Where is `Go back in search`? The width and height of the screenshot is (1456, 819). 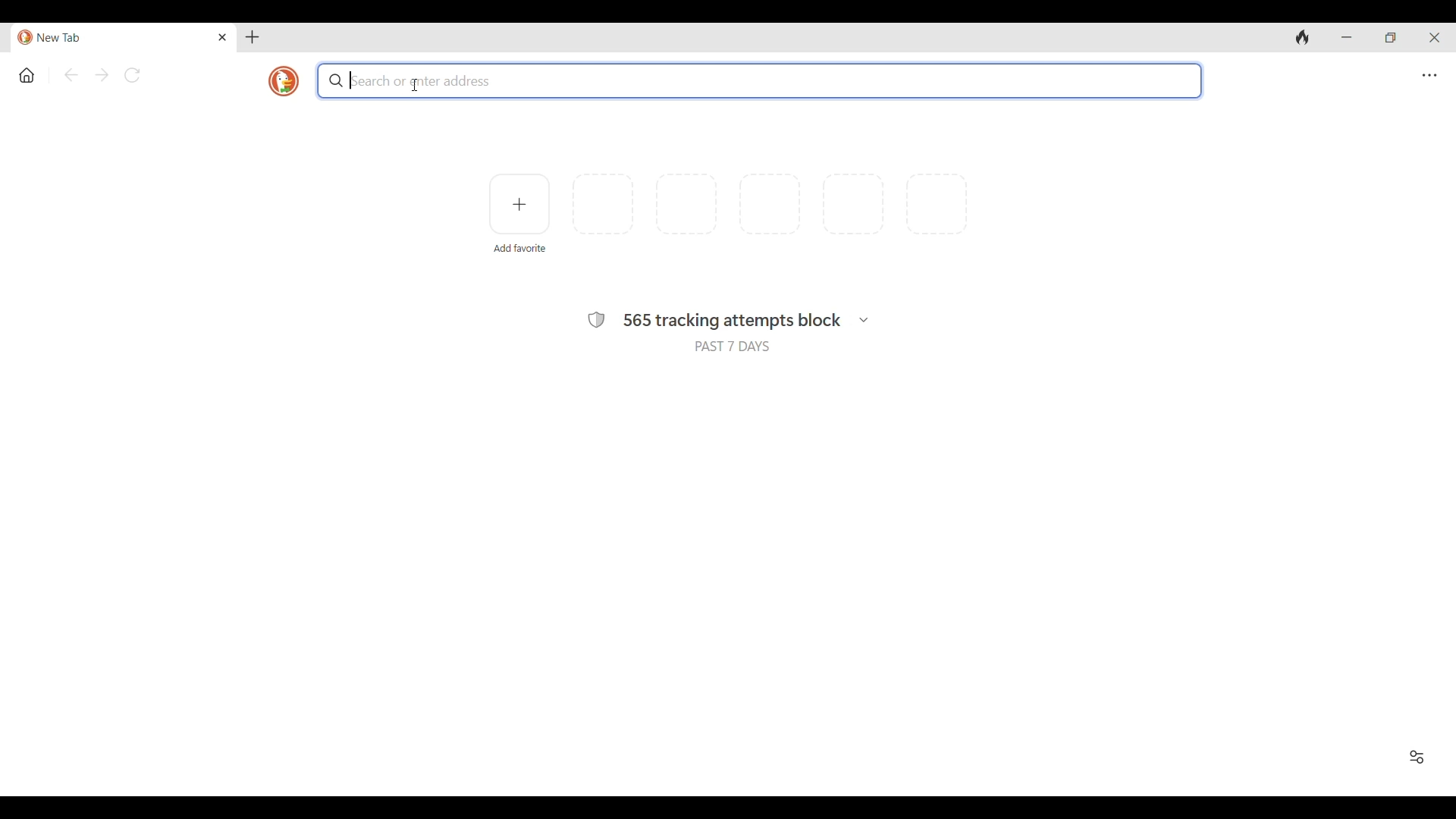 Go back in search is located at coordinates (71, 74).